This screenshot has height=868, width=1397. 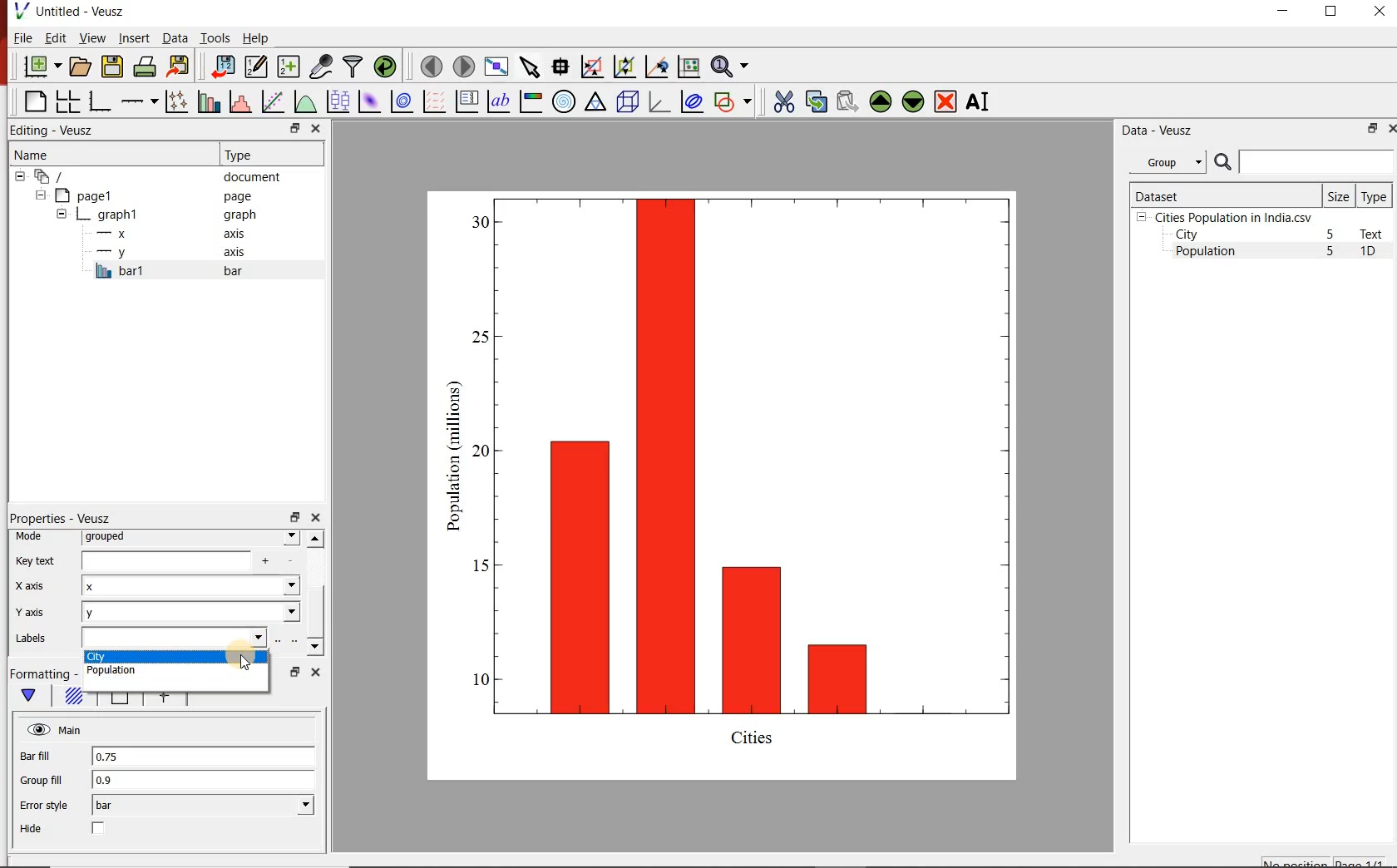 What do you see at coordinates (140, 672) in the screenshot?
I see `population` at bounding box center [140, 672].